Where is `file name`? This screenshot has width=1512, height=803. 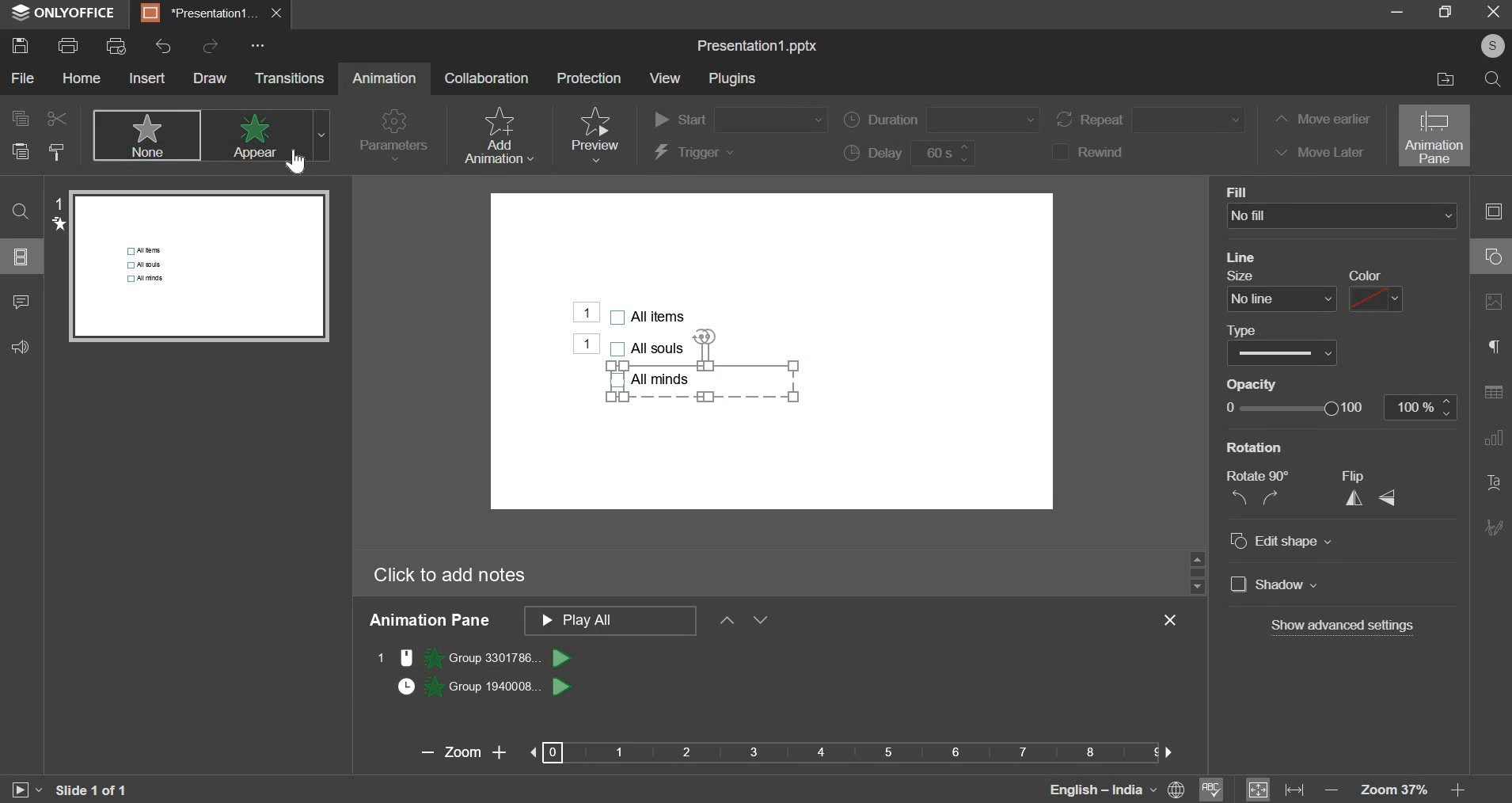 file name is located at coordinates (758, 47).